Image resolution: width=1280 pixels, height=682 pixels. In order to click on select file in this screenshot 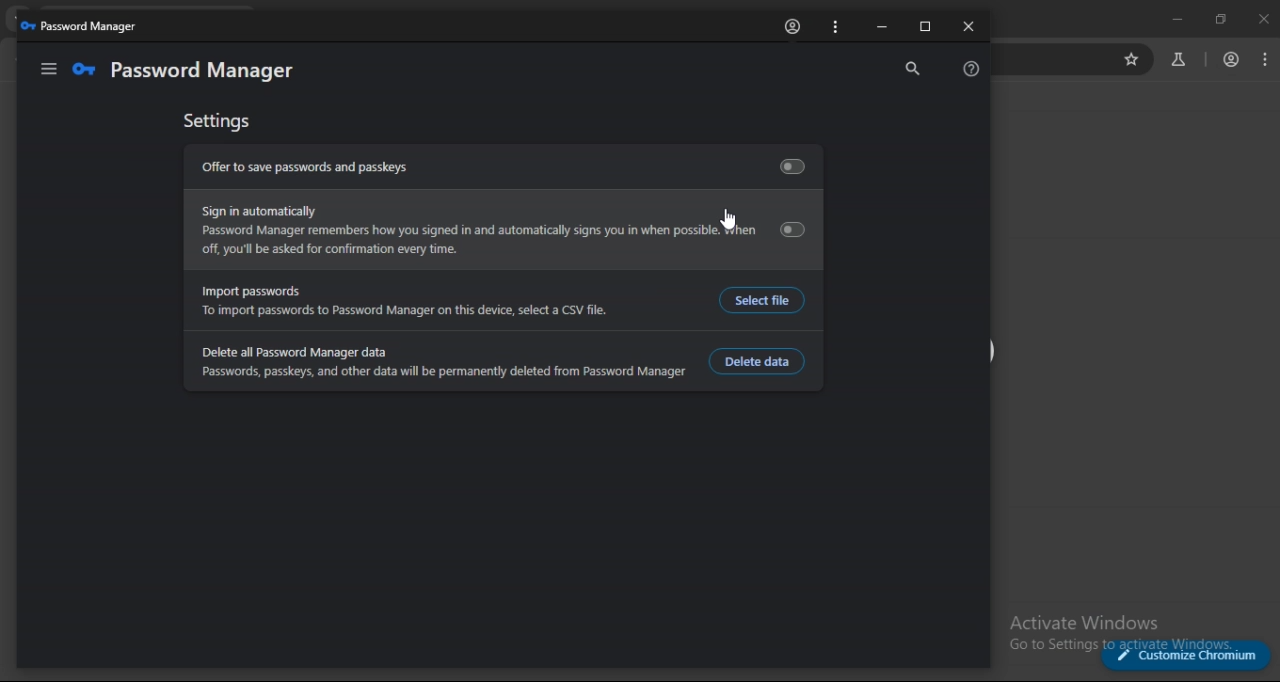, I will do `click(760, 300)`.